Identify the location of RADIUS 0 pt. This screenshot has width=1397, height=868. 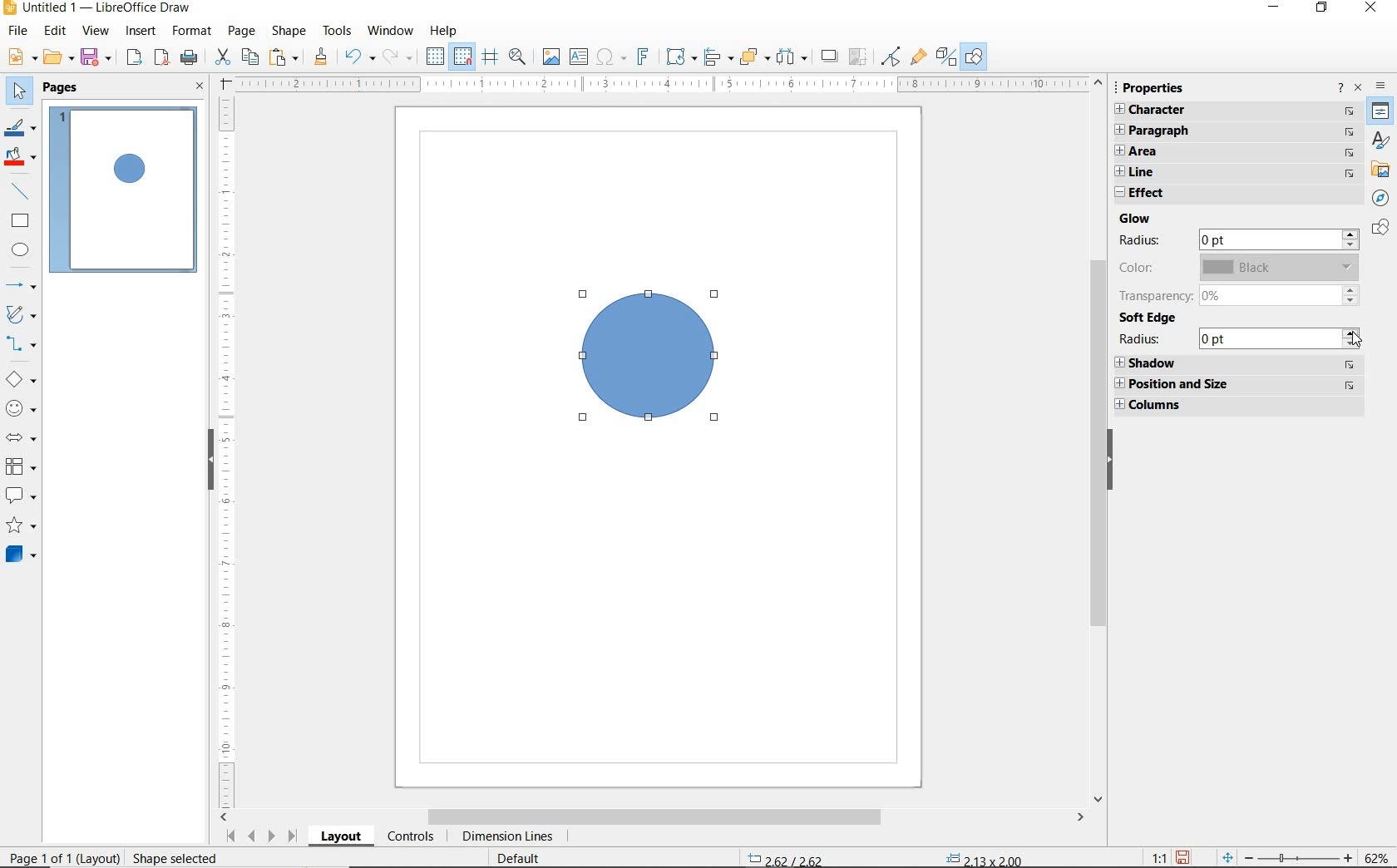
(1225, 240).